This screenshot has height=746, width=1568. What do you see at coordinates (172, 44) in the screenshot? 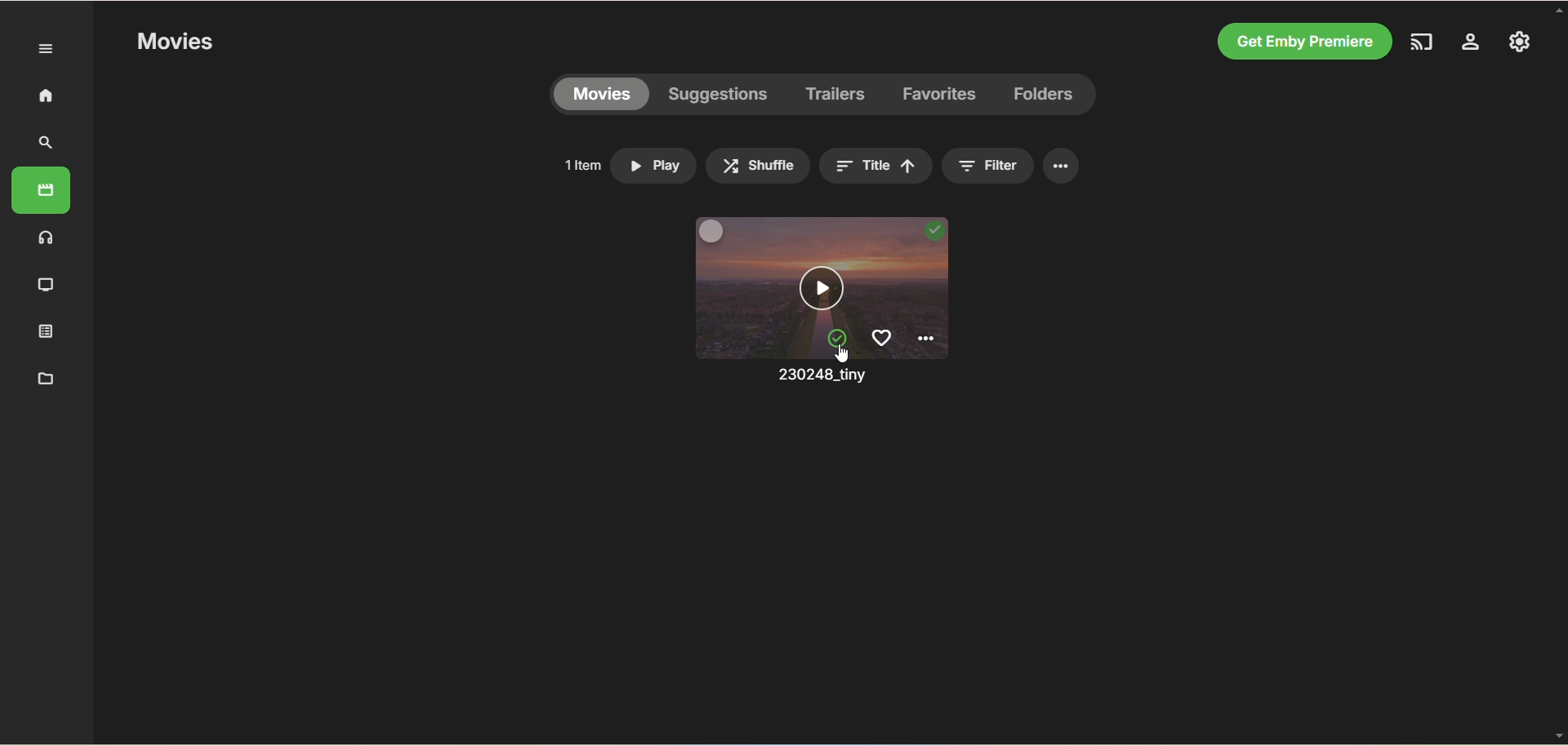
I see `movies` at bounding box center [172, 44].